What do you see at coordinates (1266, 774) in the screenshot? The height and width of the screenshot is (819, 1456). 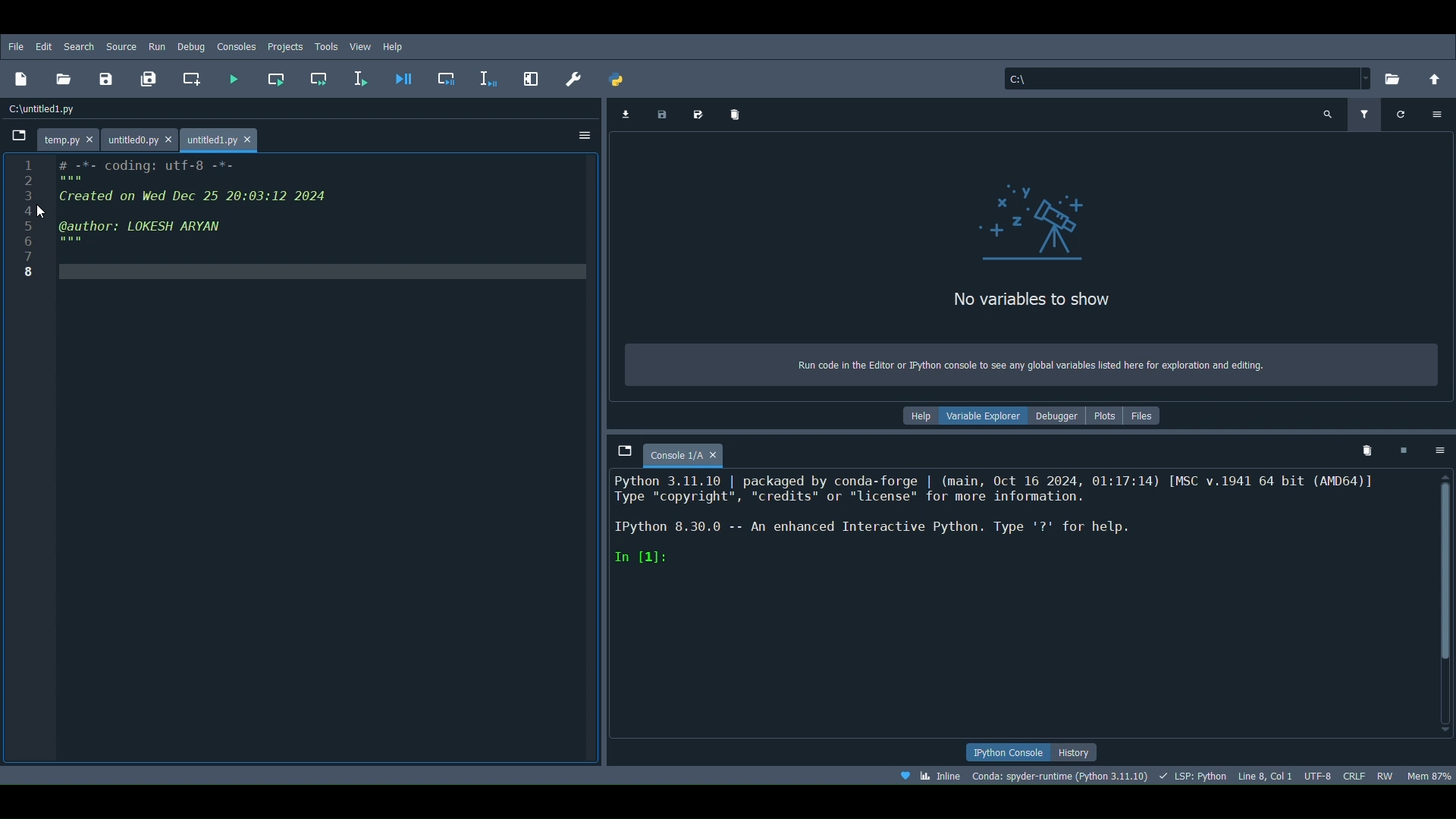 I see `Cursor position` at bounding box center [1266, 774].